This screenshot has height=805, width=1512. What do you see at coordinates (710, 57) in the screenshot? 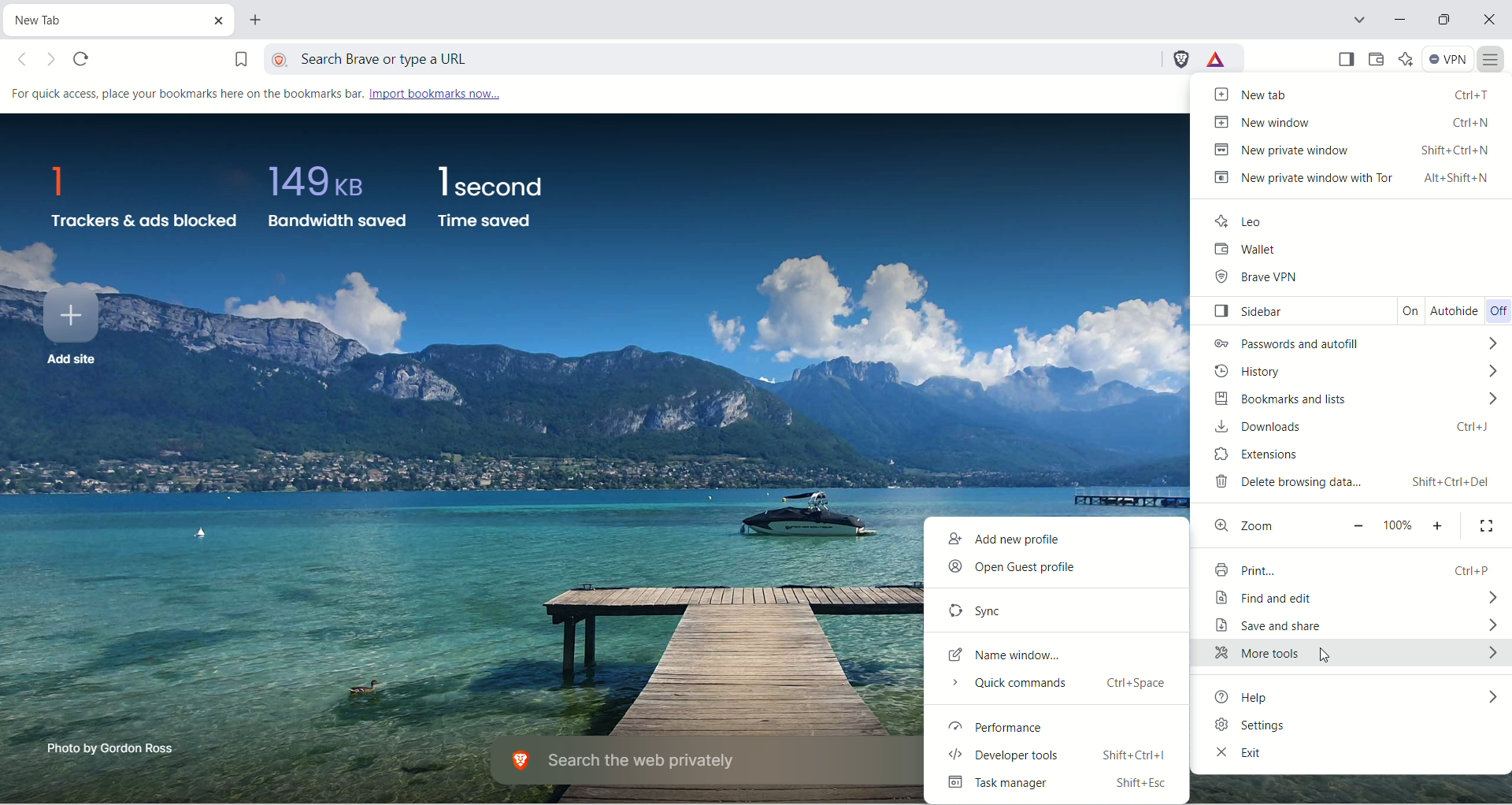
I see `search Brave or type a URL` at bounding box center [710, 57].